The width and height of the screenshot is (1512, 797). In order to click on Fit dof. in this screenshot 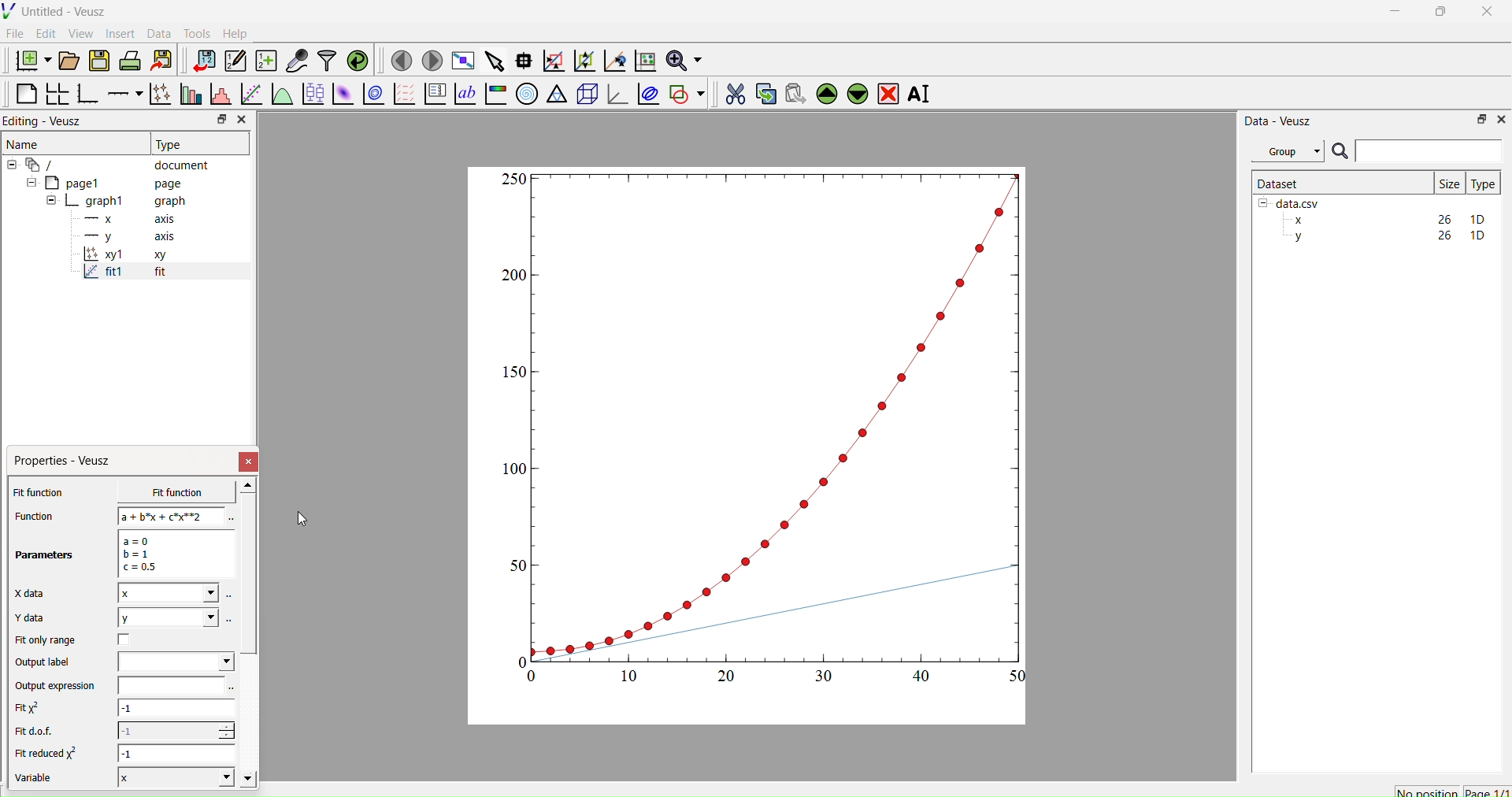, I will do `click(38, 732)`.